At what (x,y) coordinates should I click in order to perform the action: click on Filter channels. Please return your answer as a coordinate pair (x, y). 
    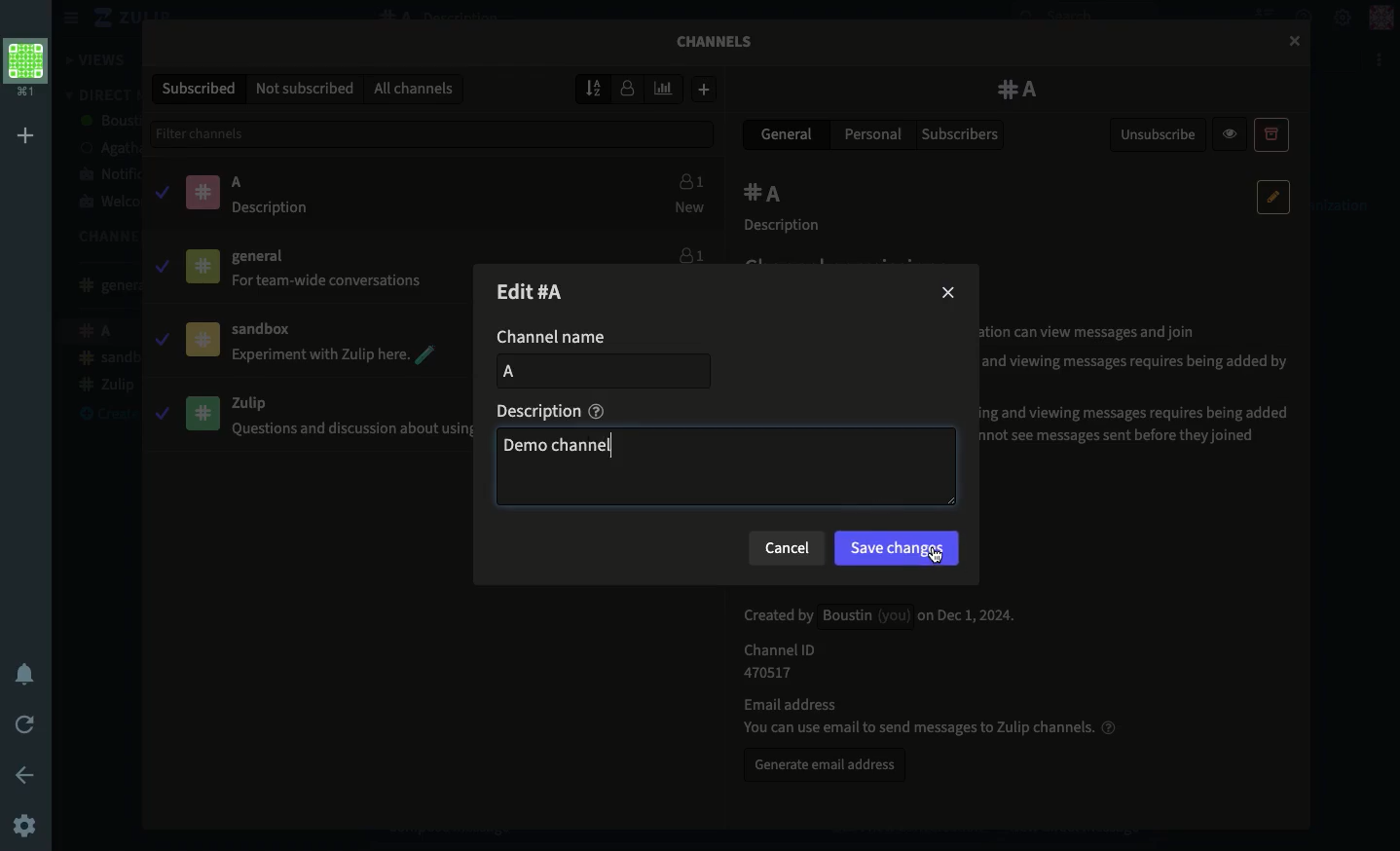
    Looking at the image, I should click on (436, 133).